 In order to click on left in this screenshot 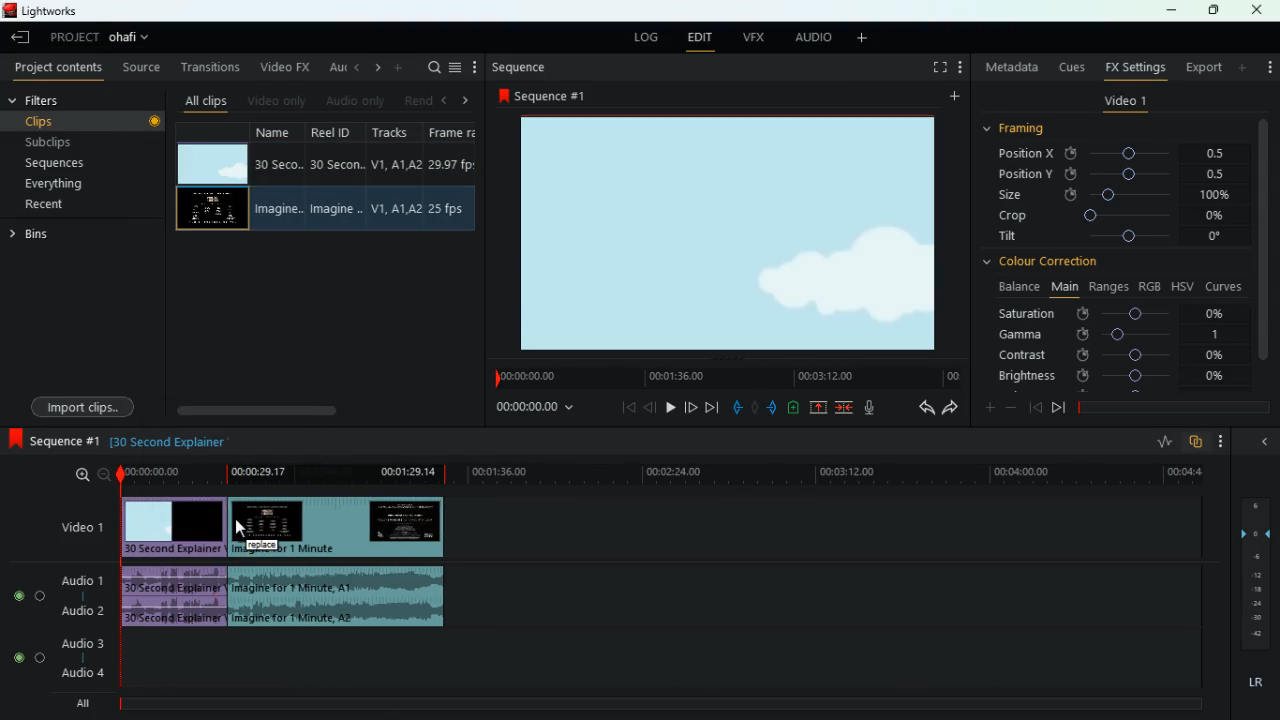, I will do `click(448, 100)`.